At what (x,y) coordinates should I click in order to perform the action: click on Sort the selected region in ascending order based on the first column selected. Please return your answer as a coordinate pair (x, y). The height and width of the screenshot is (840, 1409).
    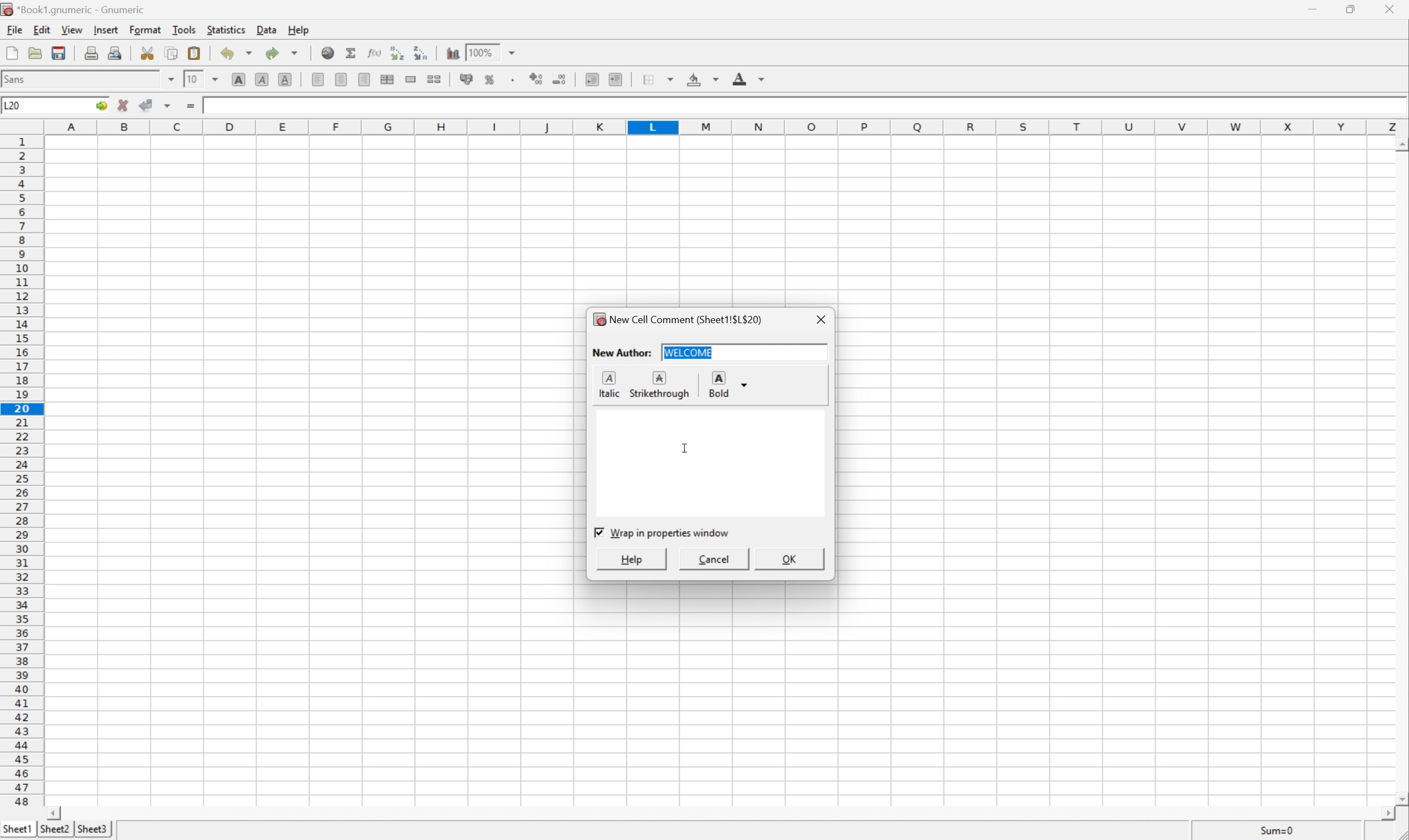
    Looking at the image, I should click on (395, 51).